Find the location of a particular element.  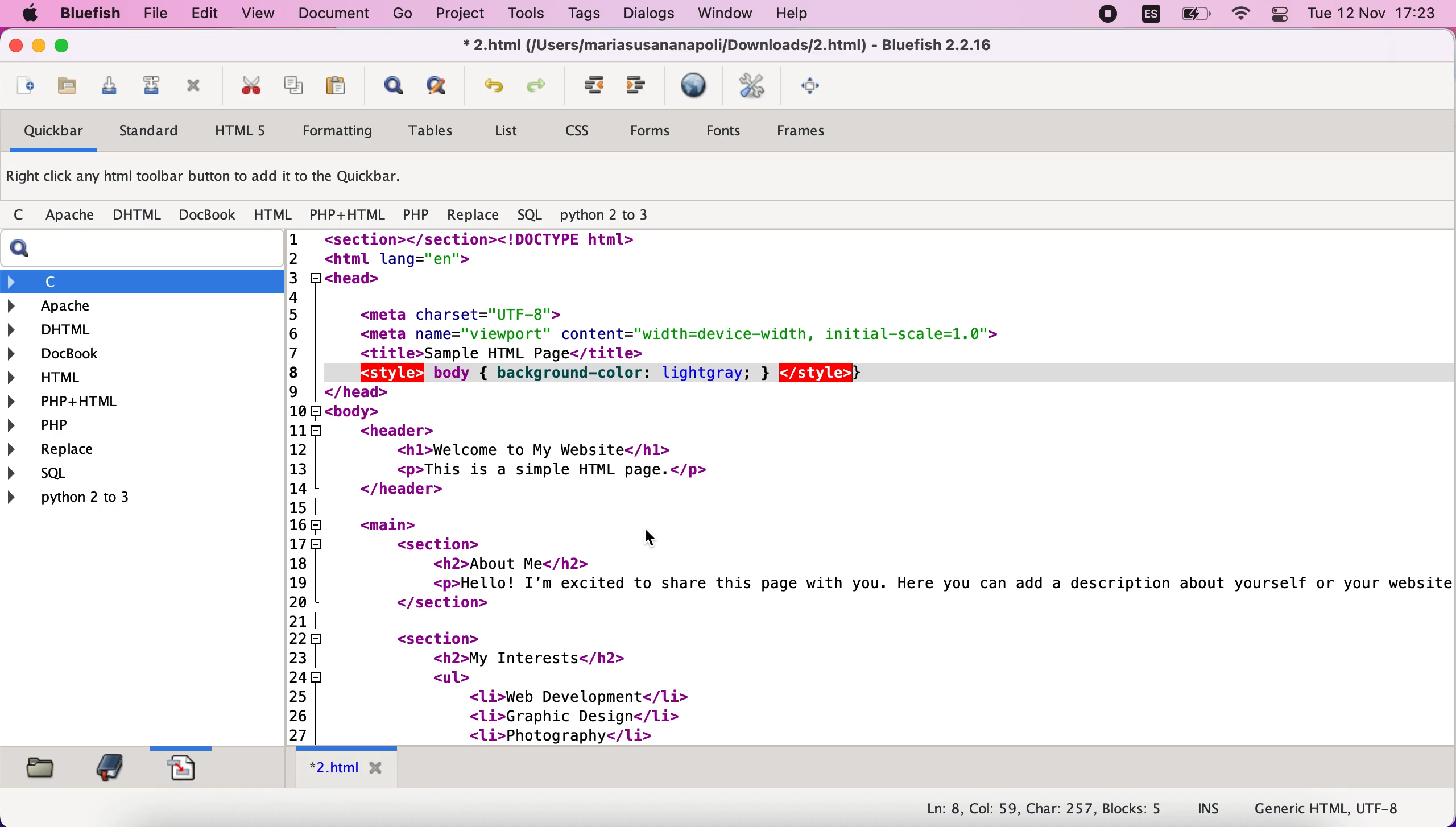

html is located at coordinates (274, 215).